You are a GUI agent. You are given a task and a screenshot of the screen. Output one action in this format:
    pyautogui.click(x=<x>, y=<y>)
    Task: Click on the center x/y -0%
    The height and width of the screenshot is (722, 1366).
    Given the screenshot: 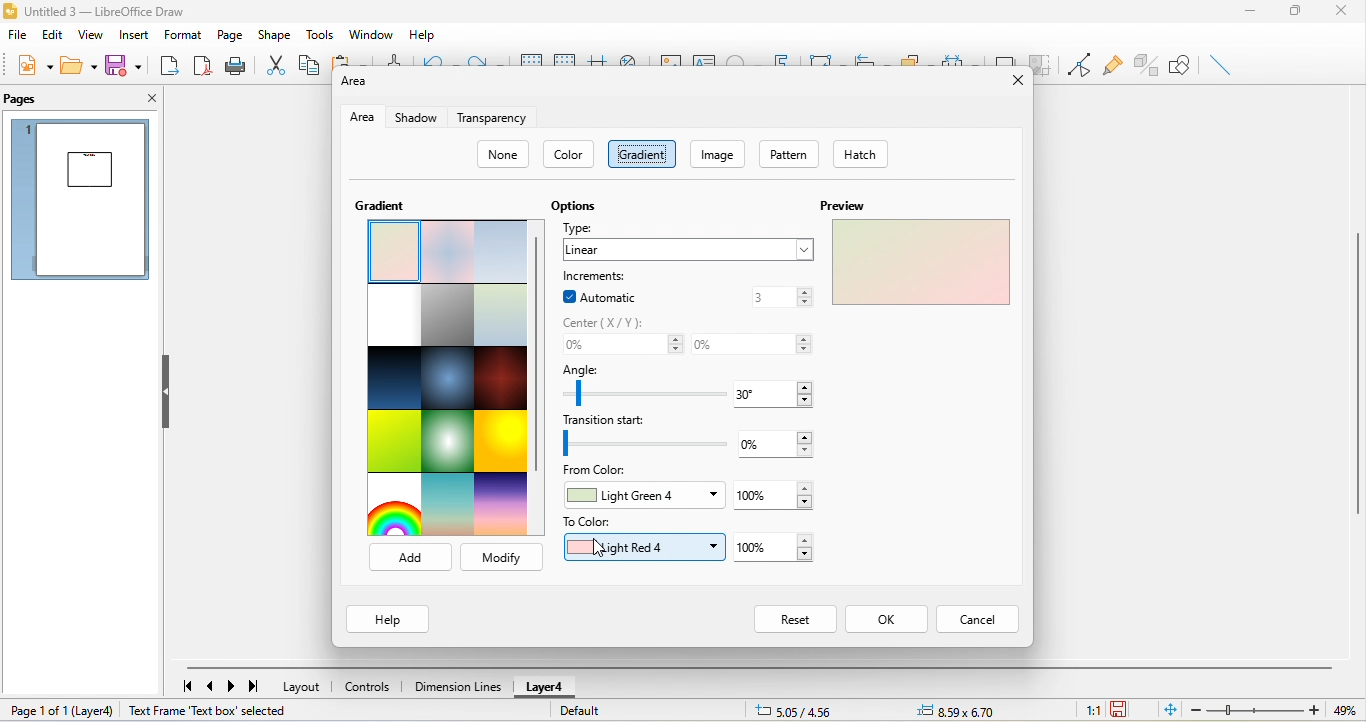 What is the action you would take?
    pyautogui.click(x=752, y=341)
    